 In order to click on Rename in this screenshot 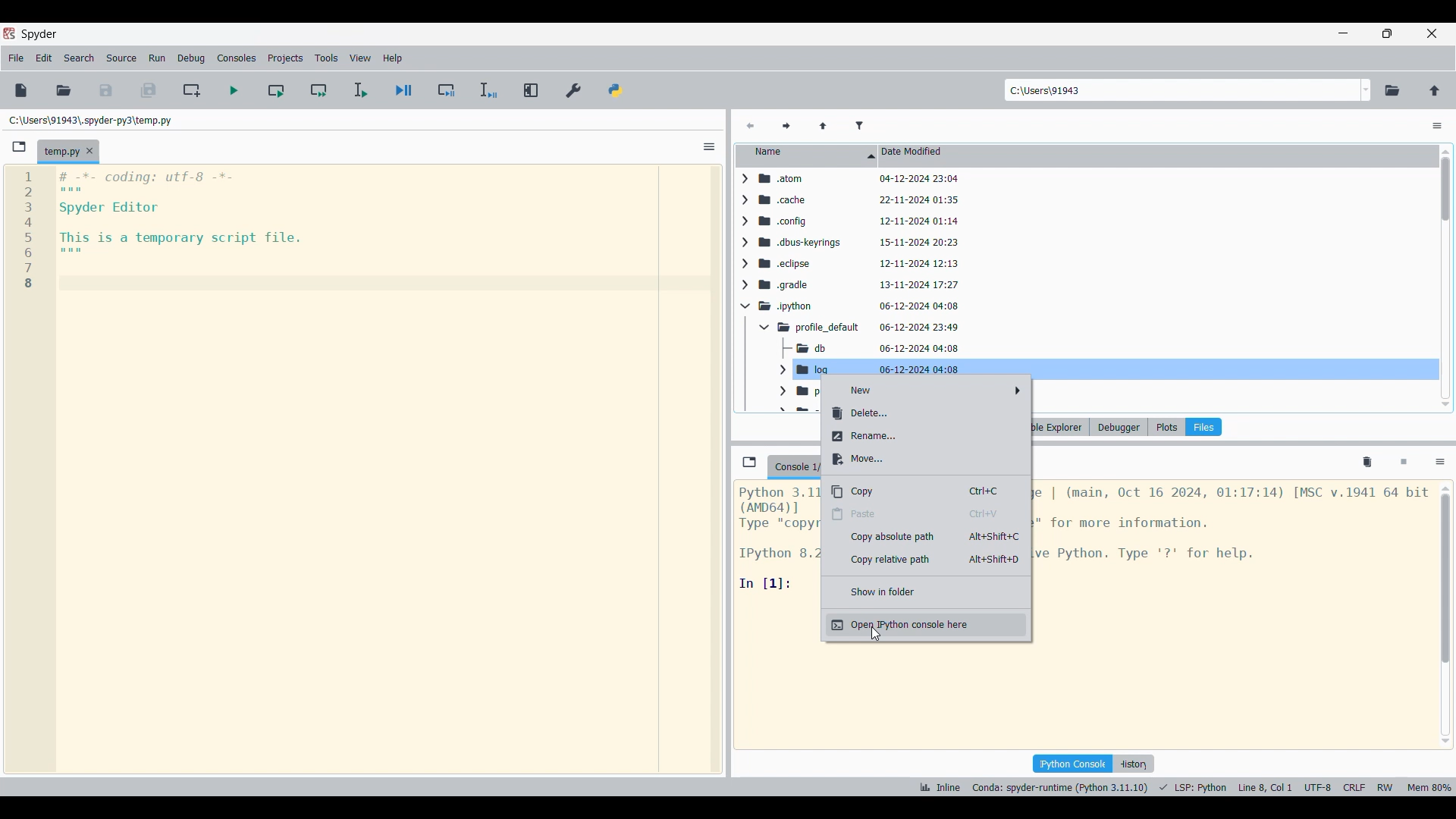, I will do `click(925, 436)`.